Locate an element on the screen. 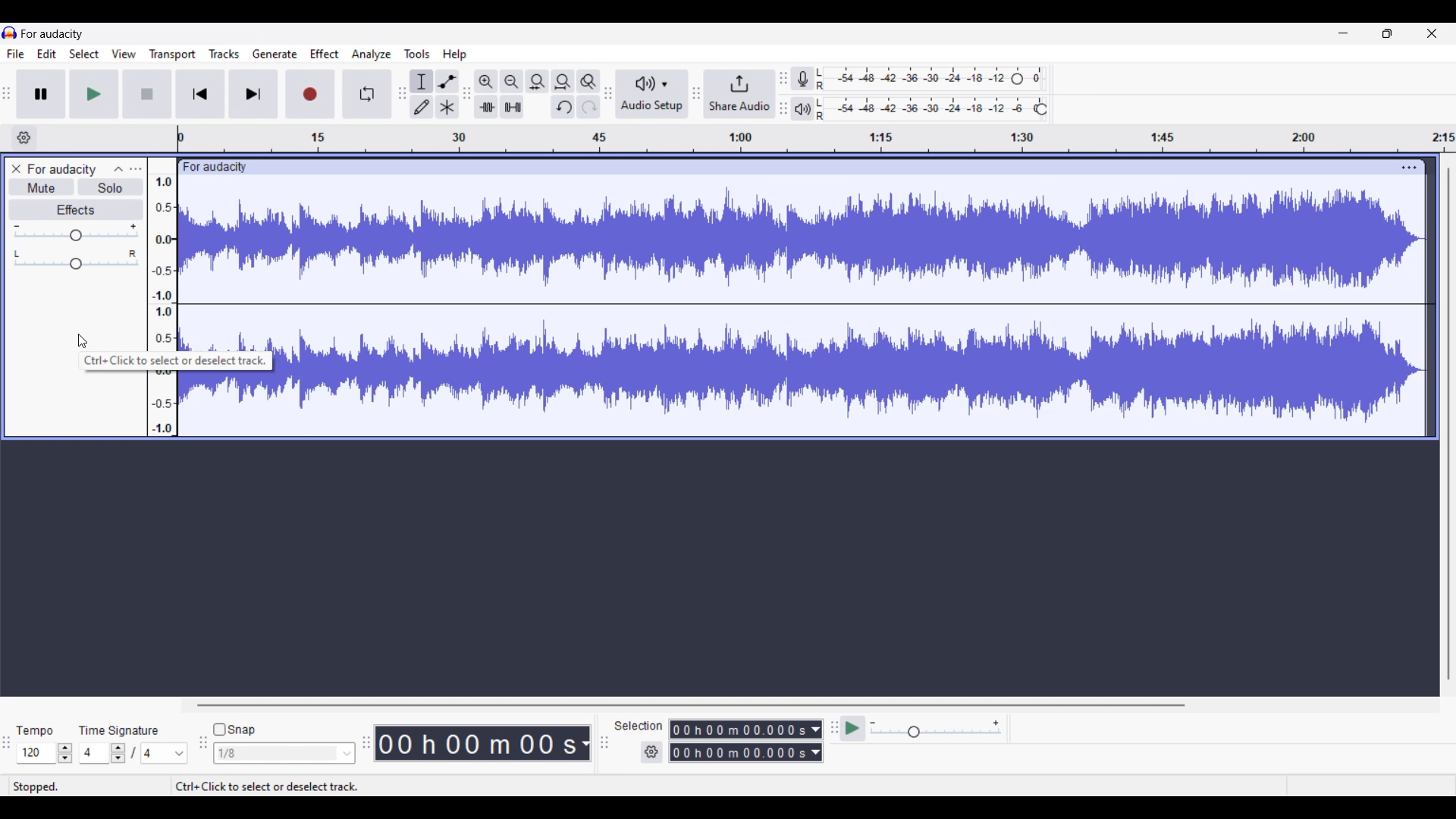  Fit selection to width is located at coordinates (538, 82).